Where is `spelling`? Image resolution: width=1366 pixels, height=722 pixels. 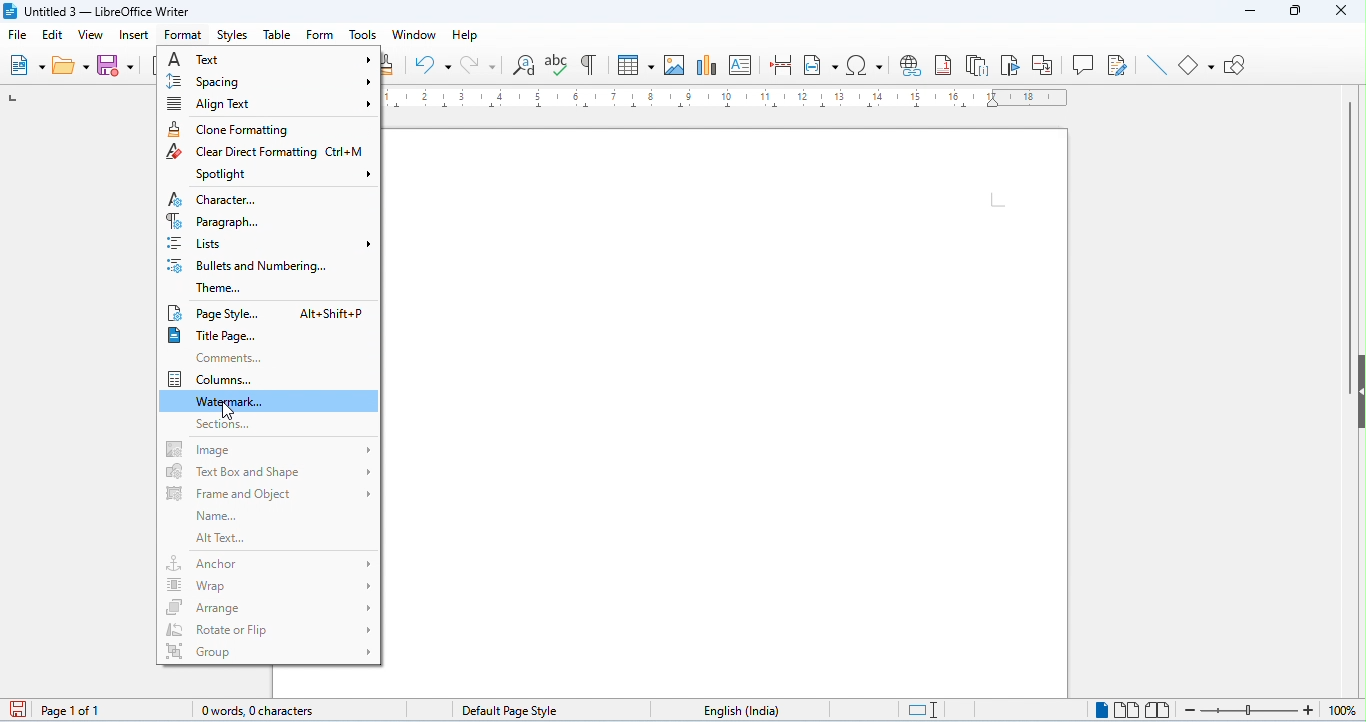
spelling is located at coordinates (558, 65).